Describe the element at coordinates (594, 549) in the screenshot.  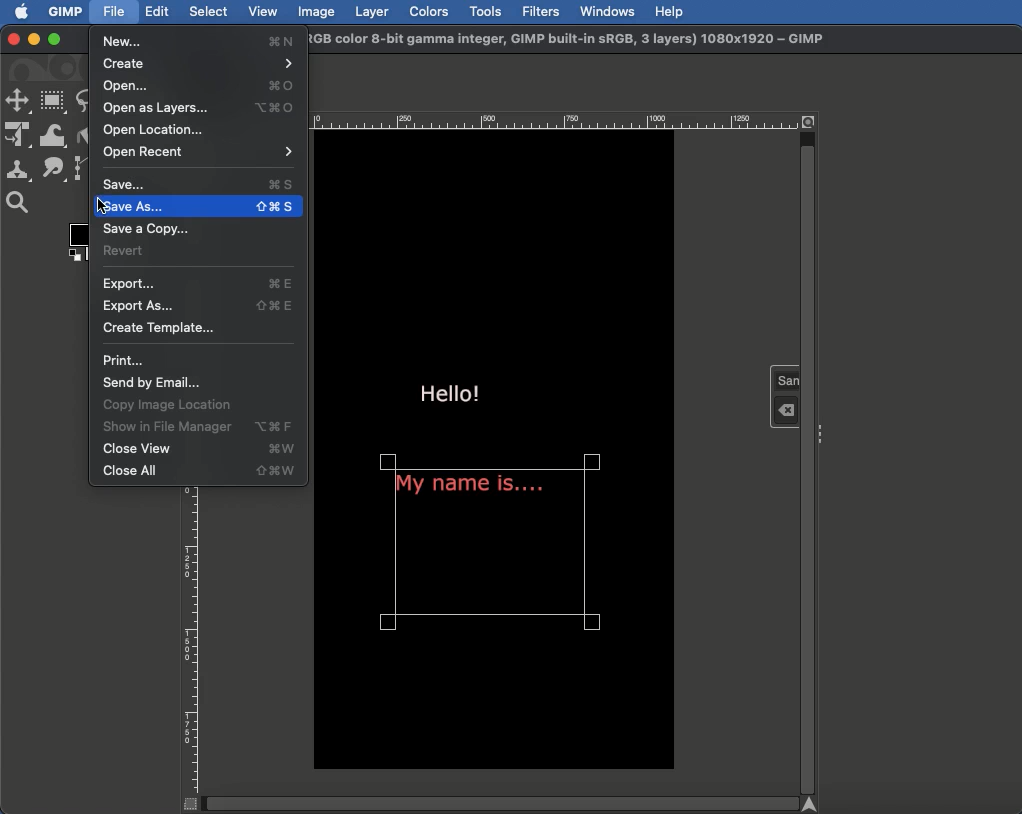
I see `text selecter` at that location.